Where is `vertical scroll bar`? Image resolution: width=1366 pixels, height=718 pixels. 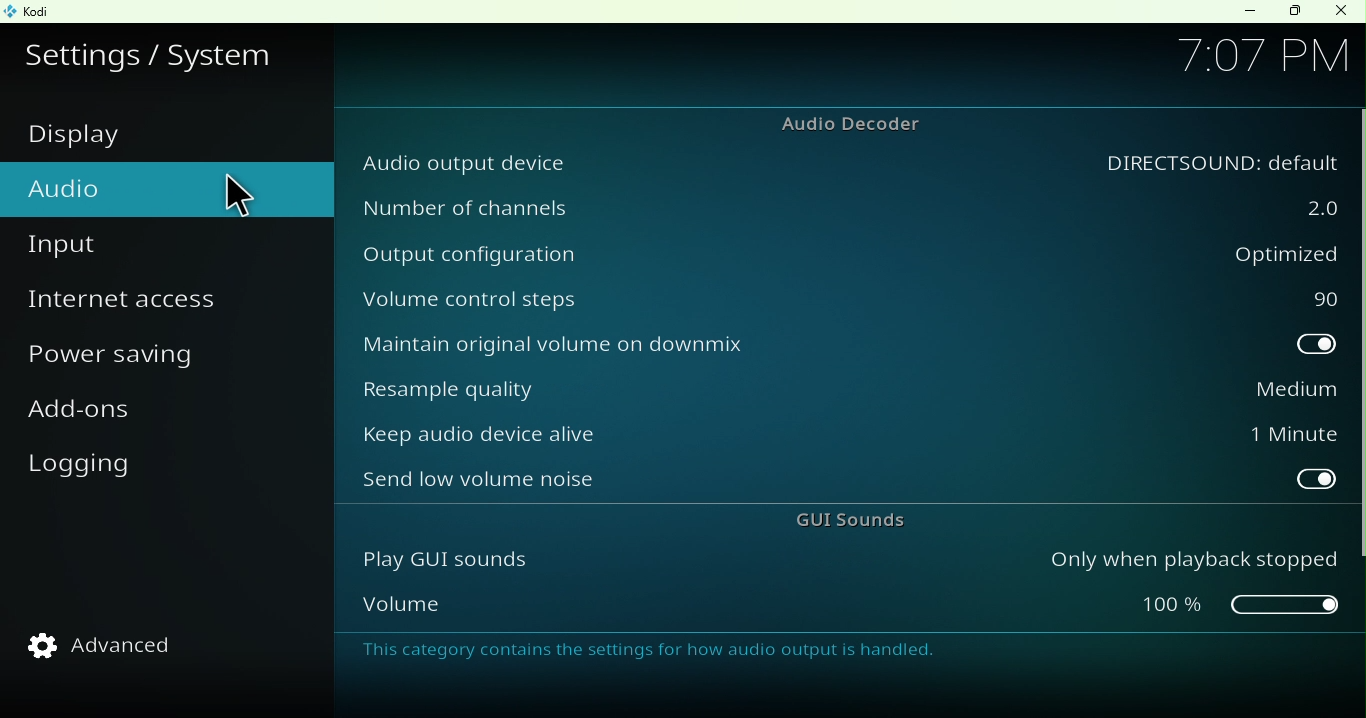
vertical scroll bar is located at coordinates (1357, 335).